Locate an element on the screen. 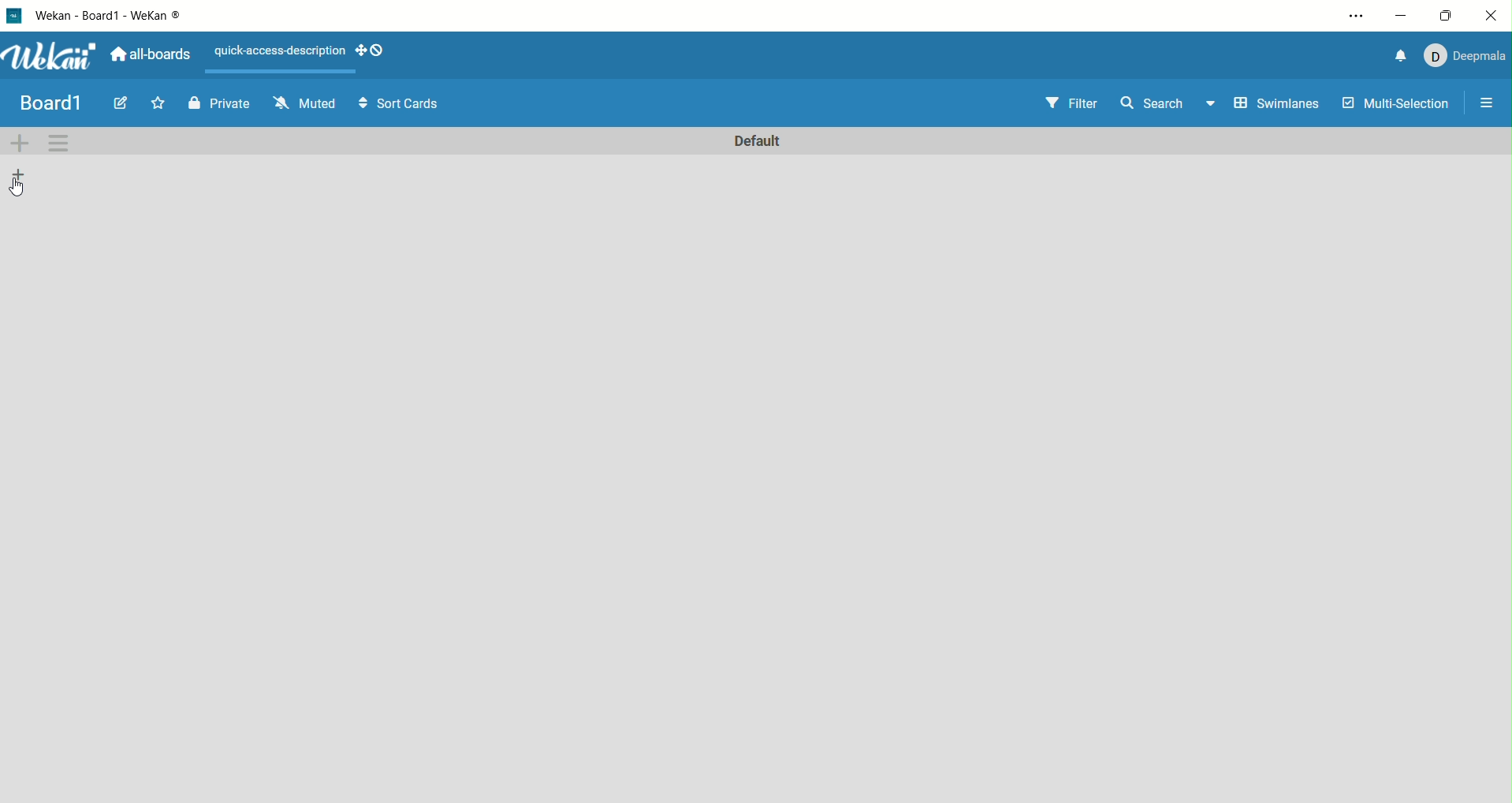 This screenshot has width=1512, height=803. favorite is located at coordinates (158, 102).